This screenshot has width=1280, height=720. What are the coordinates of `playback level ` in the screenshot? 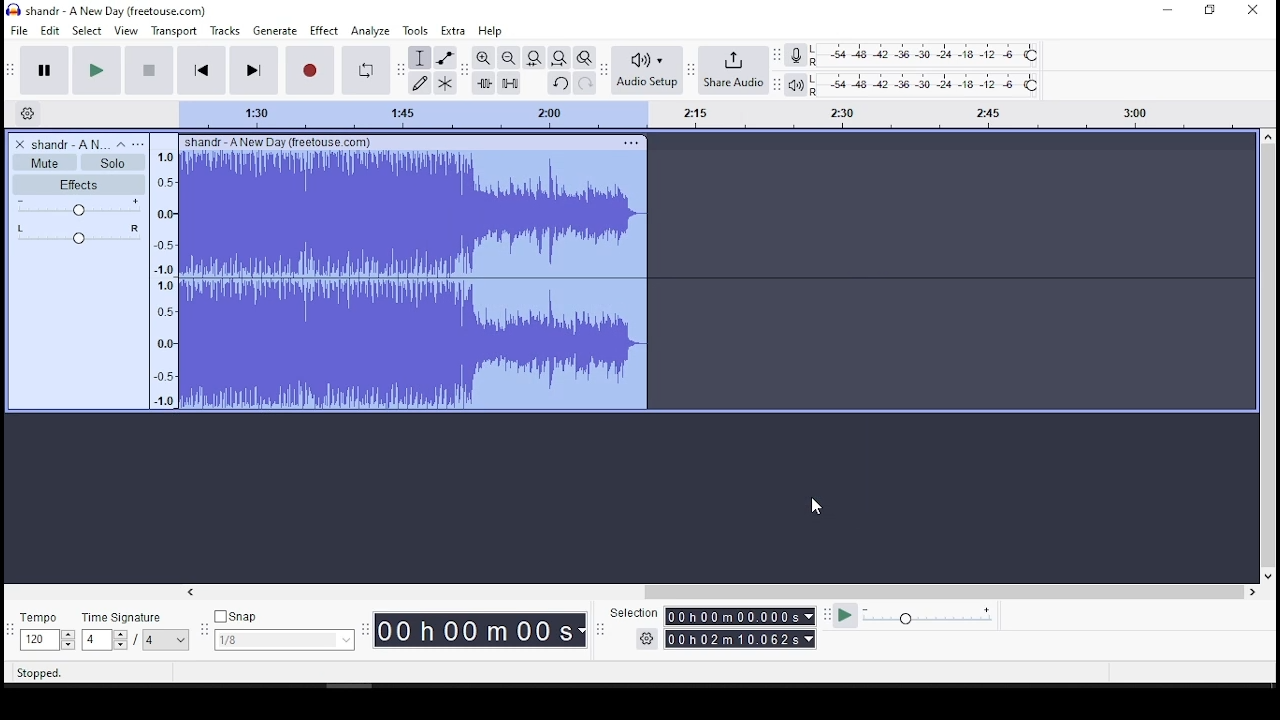 It's located at (927, 84).